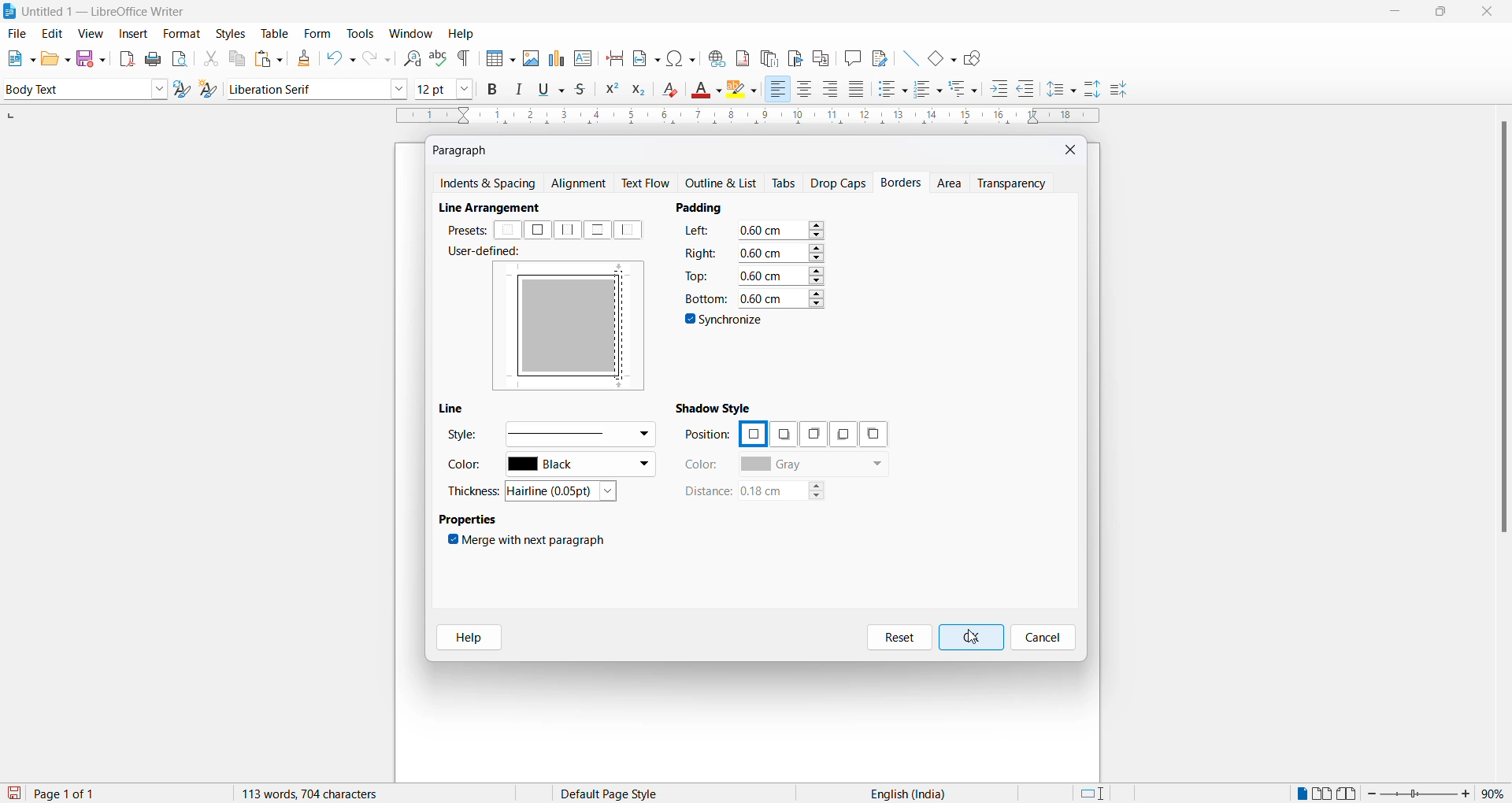 This screenshot has height=803, width=1512. What do you see at coordinates (610, 91) in the screenshot?
I see `superscript` at bounding box center [610, 91].